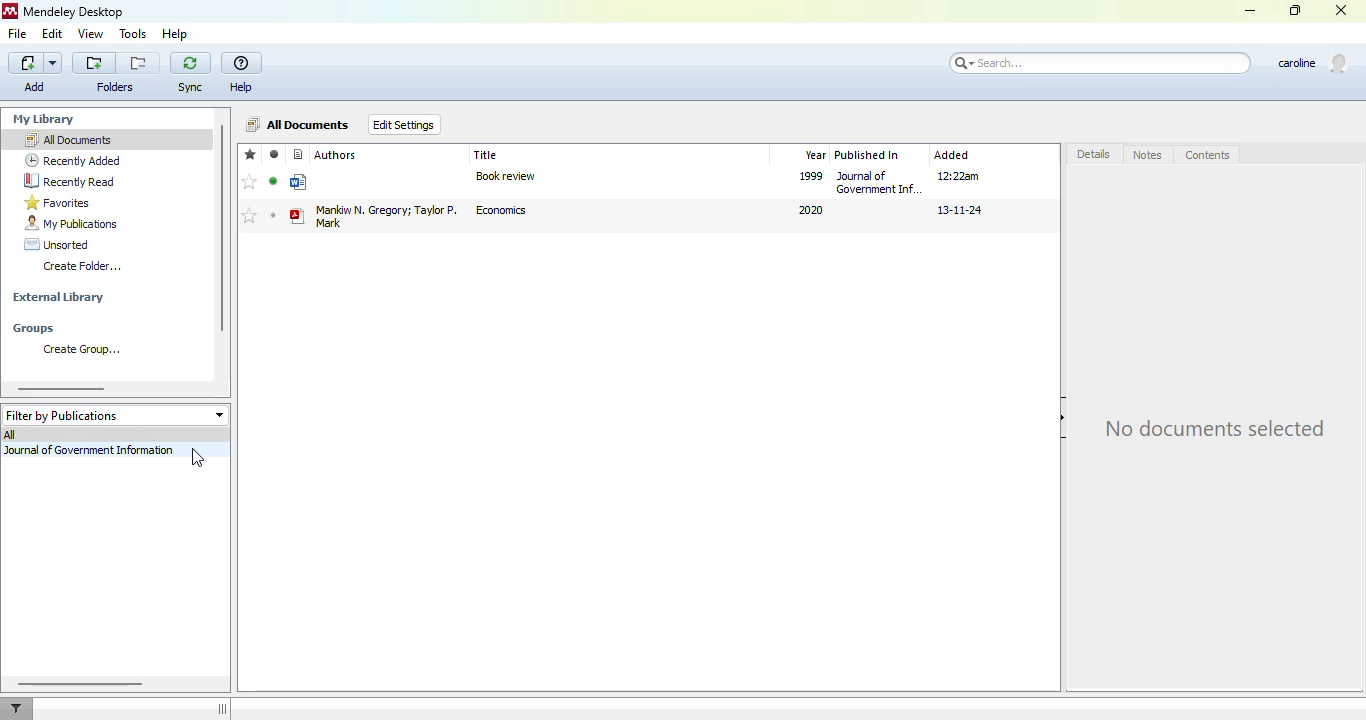 The image size is (1366, 720). What do you see at coordinates (501, 210) in the screenshot?
I see `economics` at bounding box center [501, 210].